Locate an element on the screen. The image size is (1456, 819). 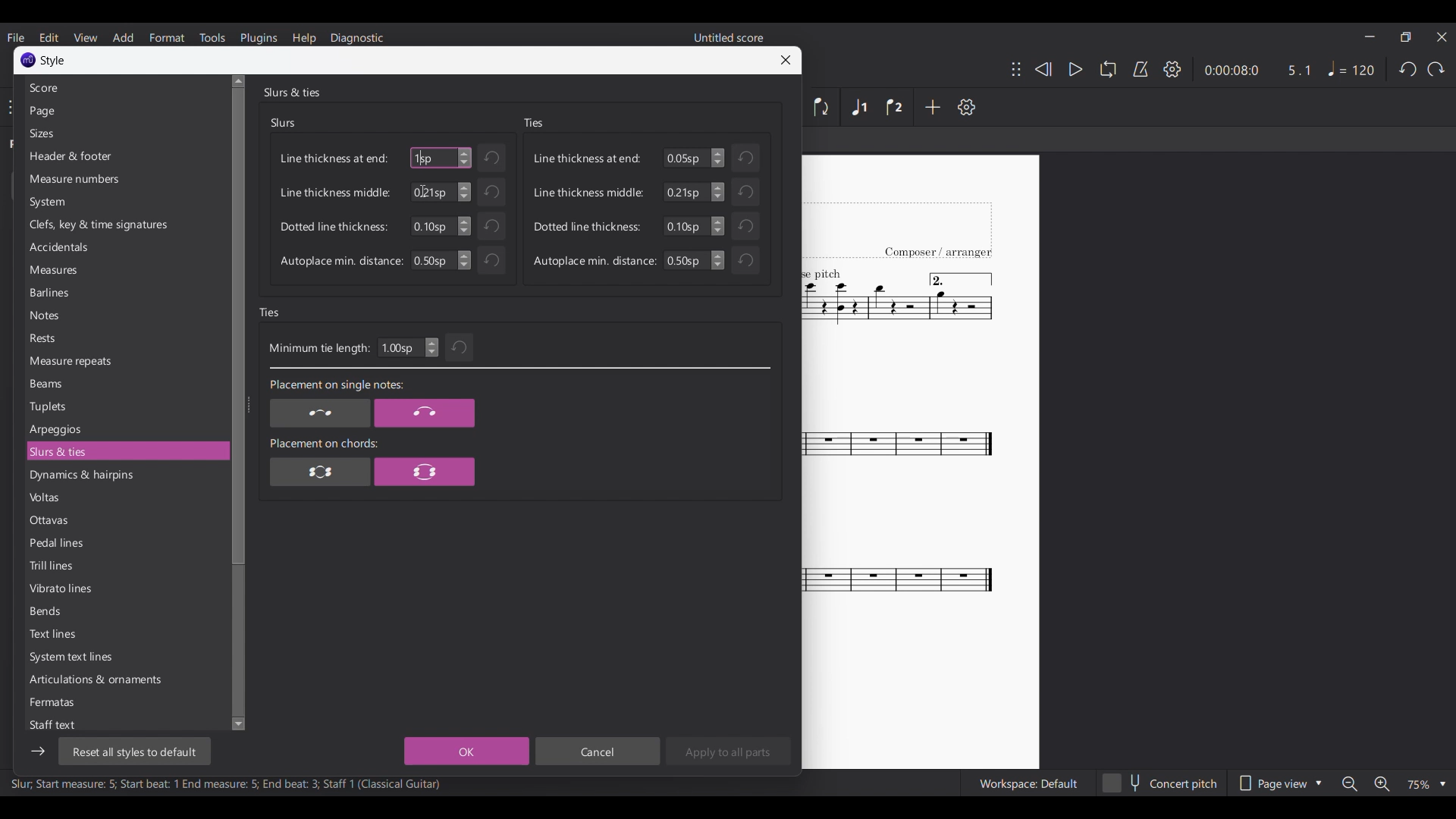
Notes is located at coordinates (125, 315).